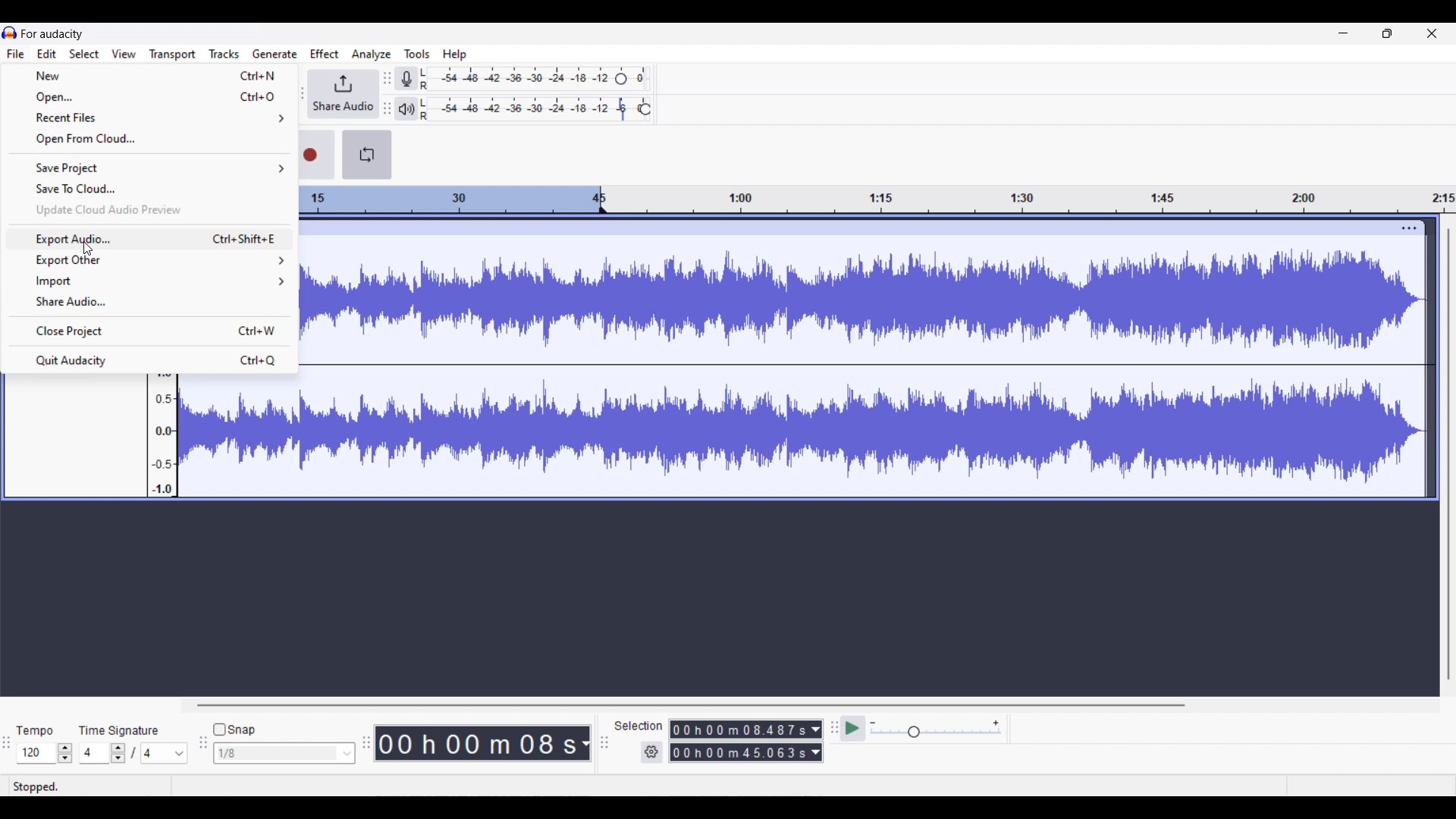 This screenshot has width=1456, height=819. What do you see at coordinates (473, 743) in the screenshot?
I see `Current timestamp of track` at bounding box center [473, 743].